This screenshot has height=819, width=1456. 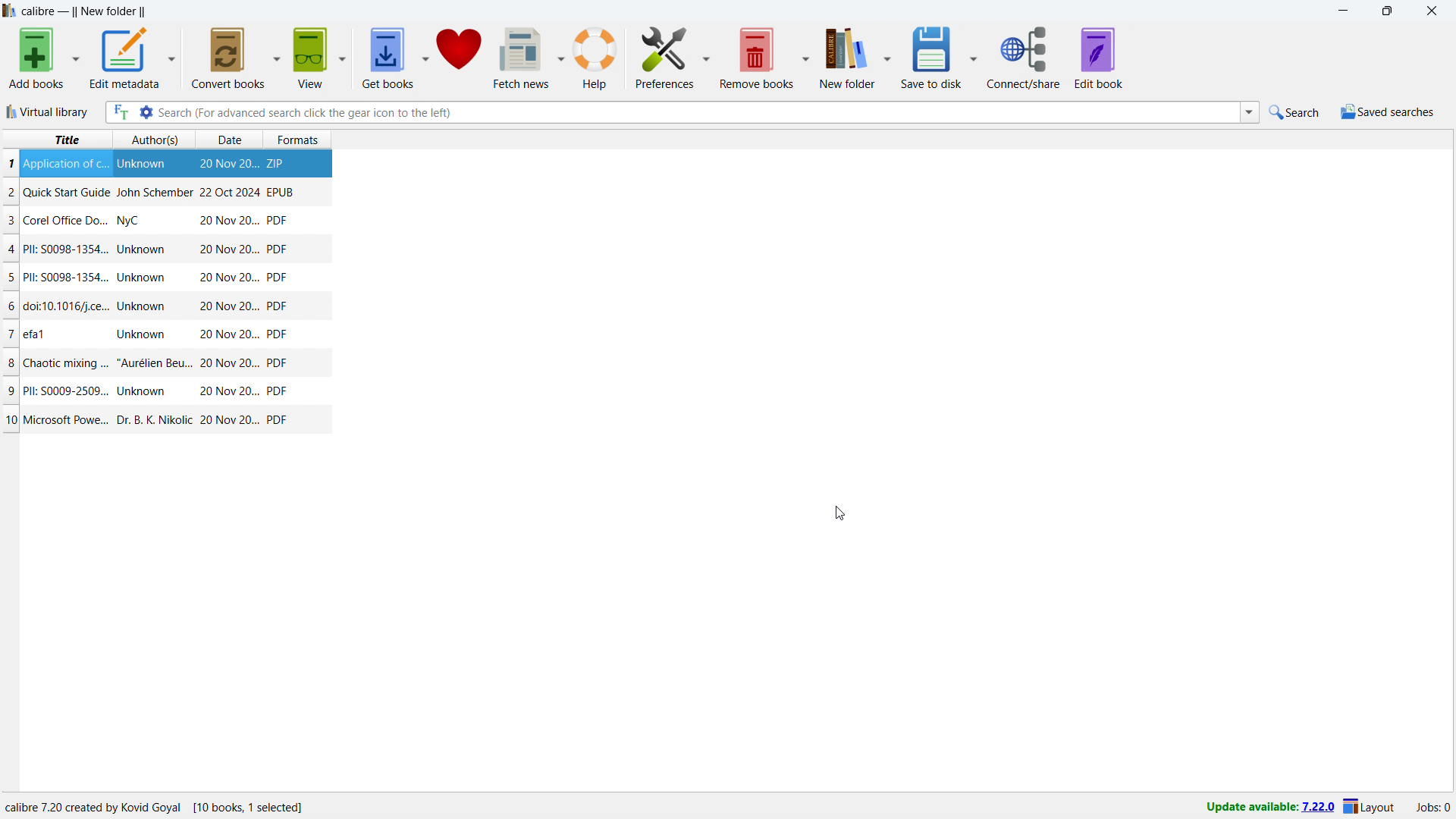 I want to click on view, so click(x=310, y=58).